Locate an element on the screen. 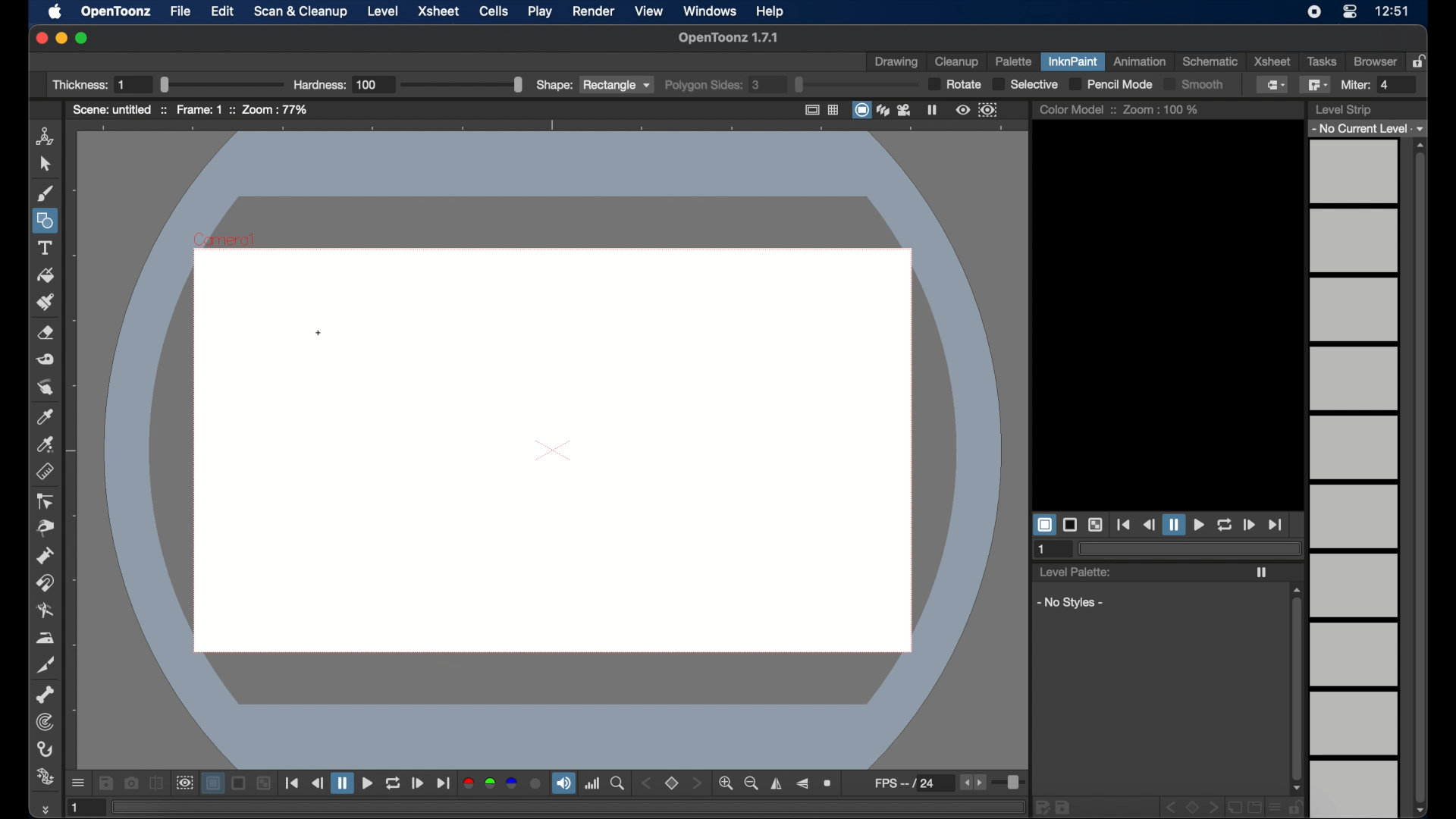 Image resolution: width=1456 pixels, height=819 pixels. locator is located at coordinates (617, 783).